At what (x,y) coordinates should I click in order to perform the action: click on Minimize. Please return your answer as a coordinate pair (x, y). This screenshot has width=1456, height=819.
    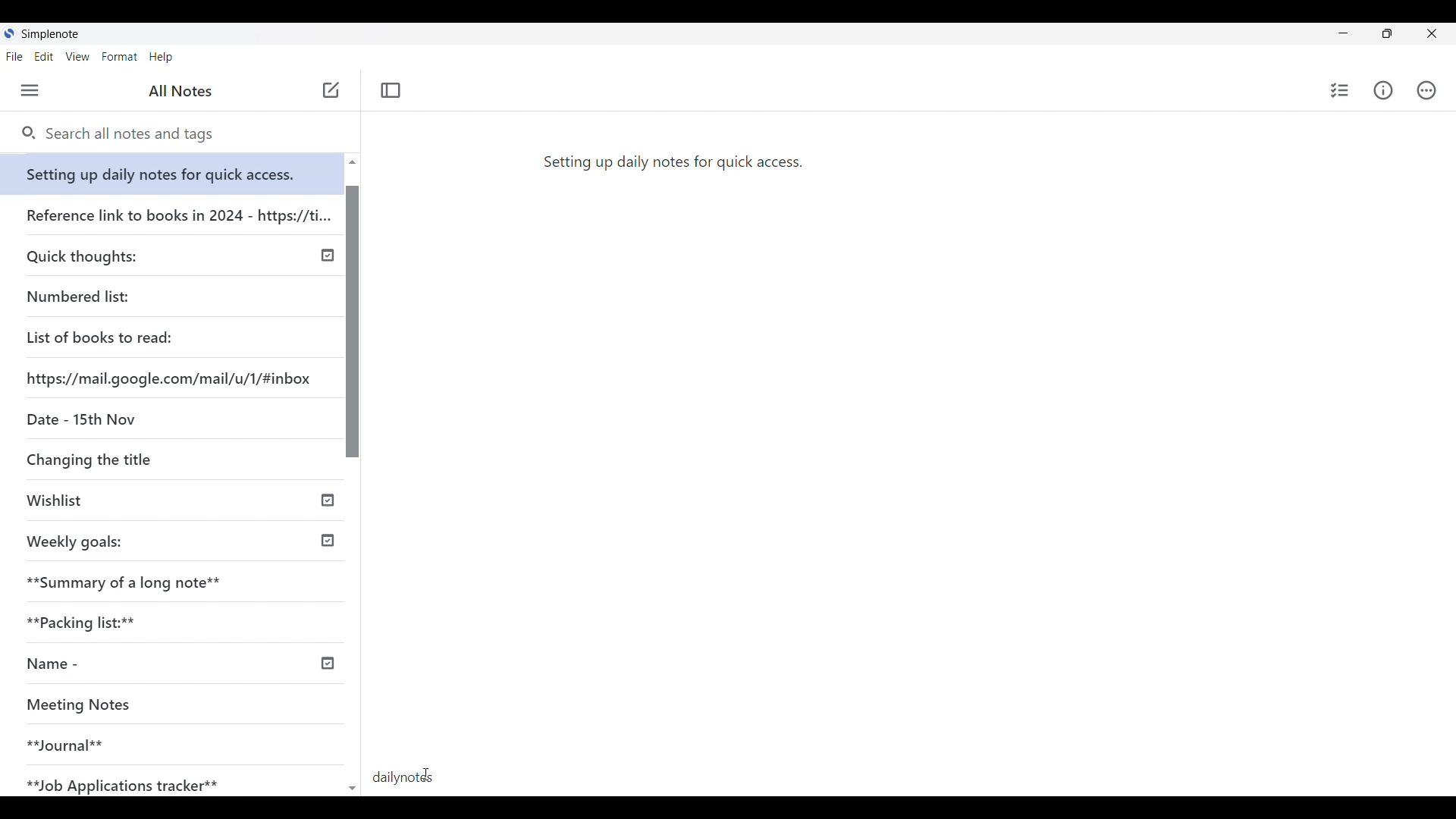
    Looking at the image, I should click on (1343, 33).